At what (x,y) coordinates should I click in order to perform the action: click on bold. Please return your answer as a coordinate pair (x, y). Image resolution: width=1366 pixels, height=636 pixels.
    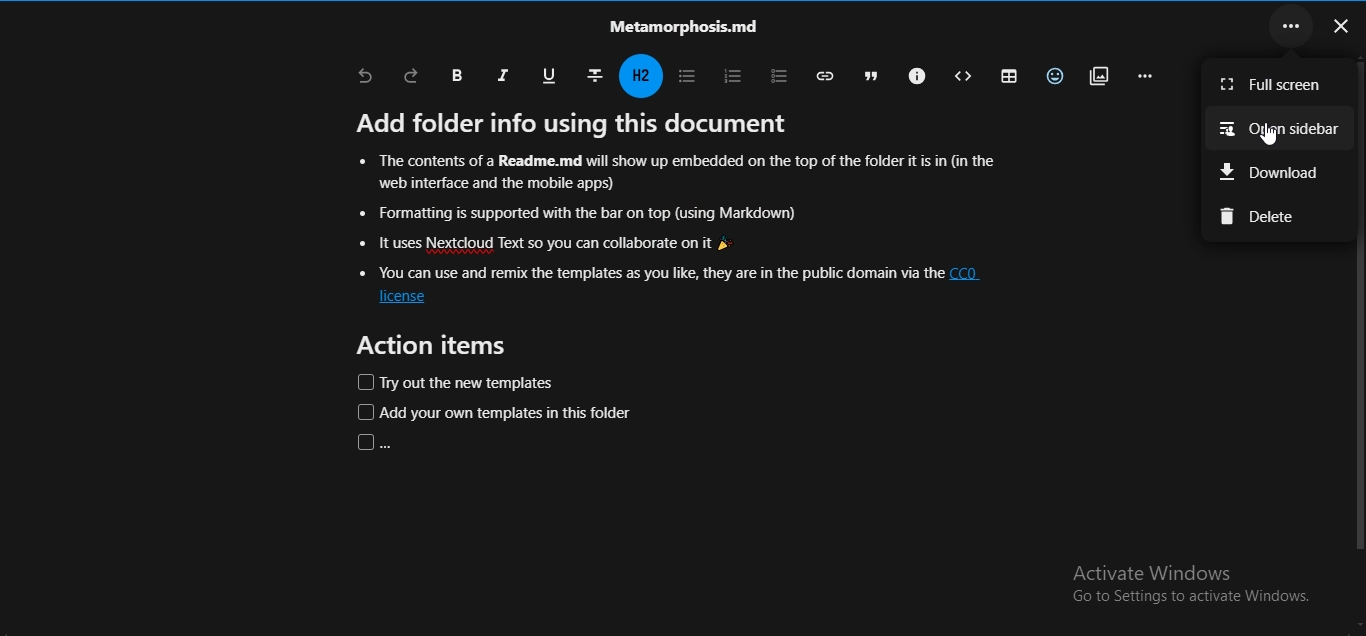
    Looking at the image, I should click on (456, 75).